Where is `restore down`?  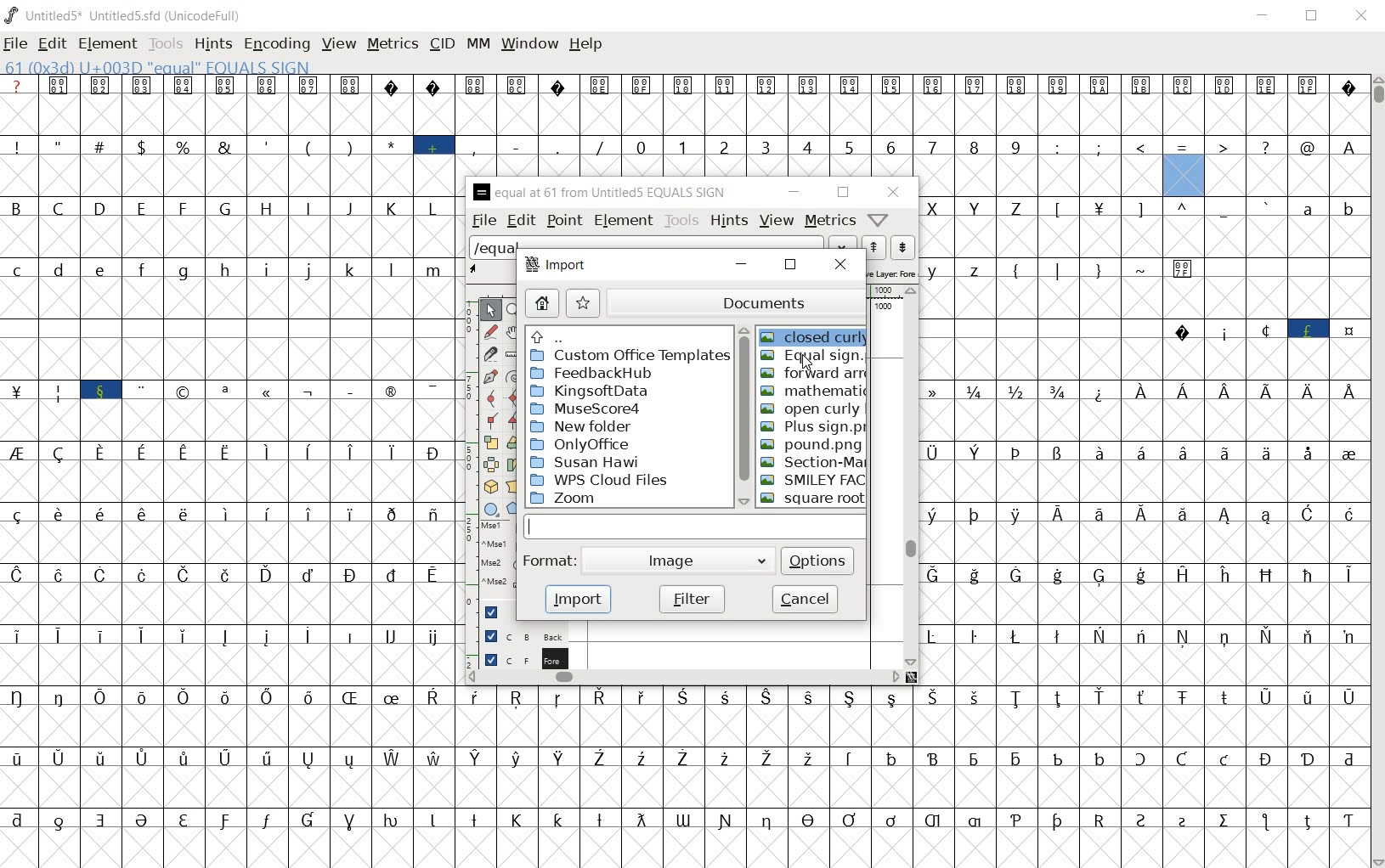 restore down is located at coordinates (1310, 17).